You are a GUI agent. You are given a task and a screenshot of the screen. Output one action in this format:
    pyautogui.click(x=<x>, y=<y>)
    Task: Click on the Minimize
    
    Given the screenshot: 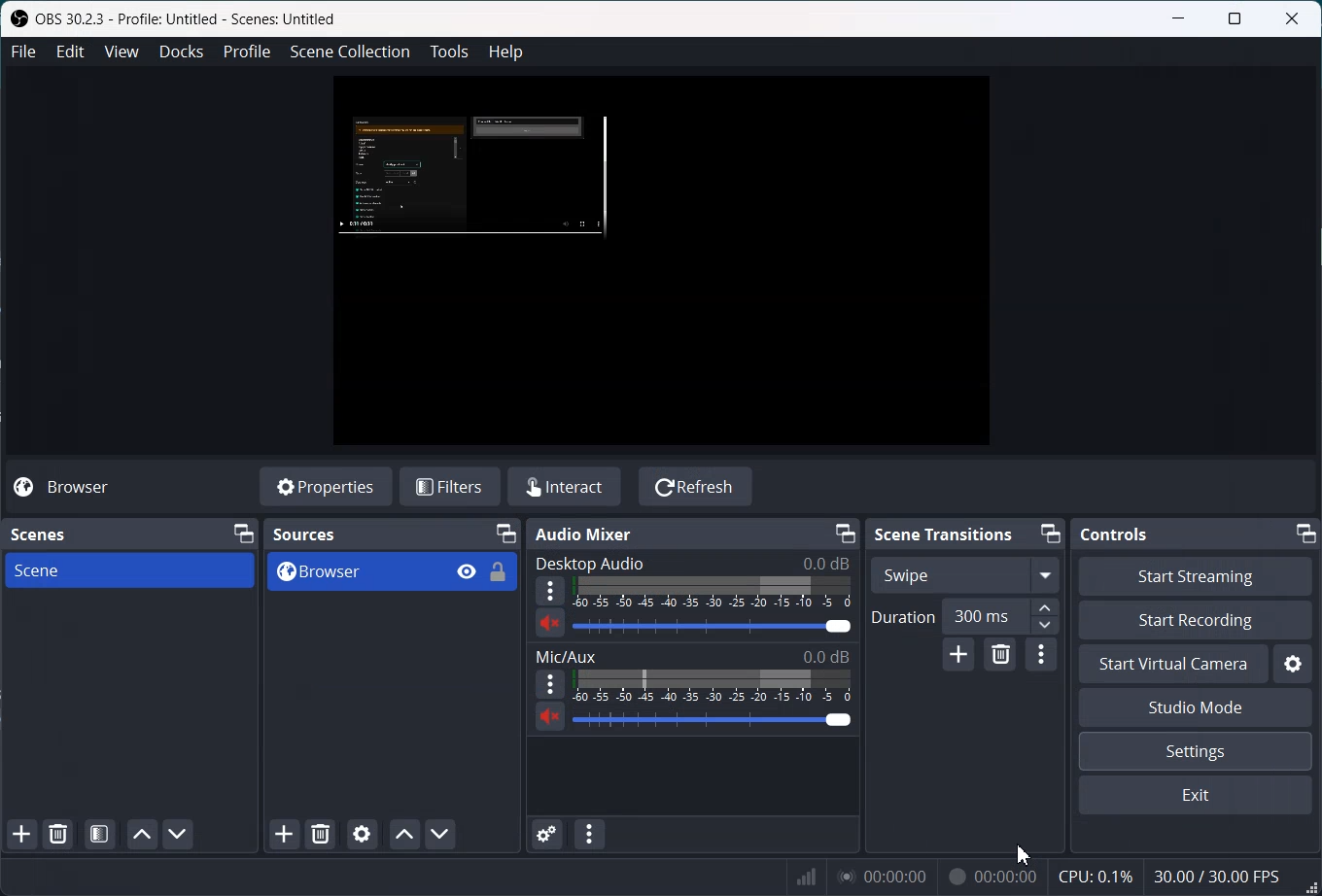 What is the action you would take?
    pyautogui.click(x=243, y=533)
    